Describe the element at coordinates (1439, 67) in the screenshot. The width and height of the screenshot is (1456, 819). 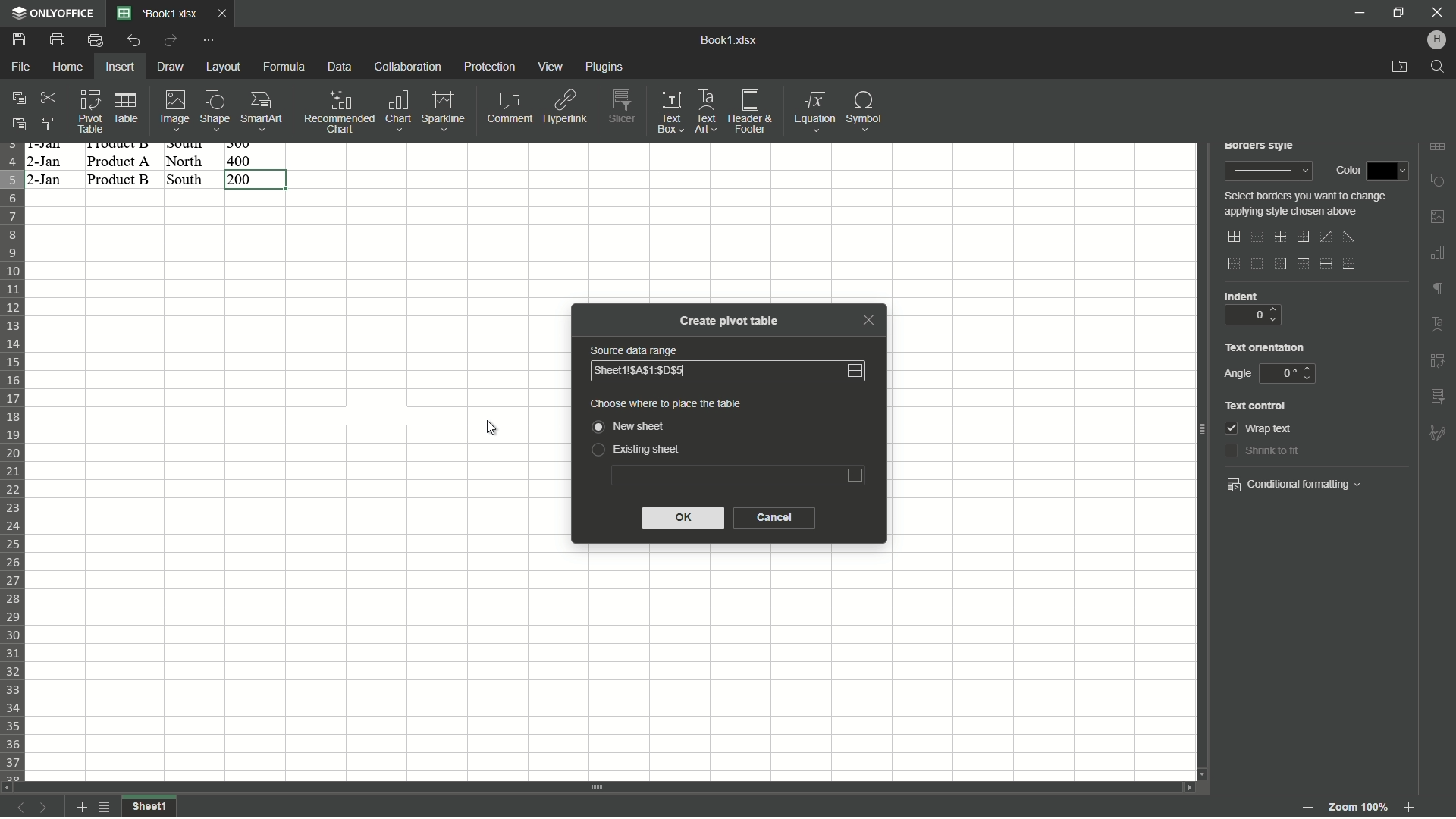
I see `find` at that location.